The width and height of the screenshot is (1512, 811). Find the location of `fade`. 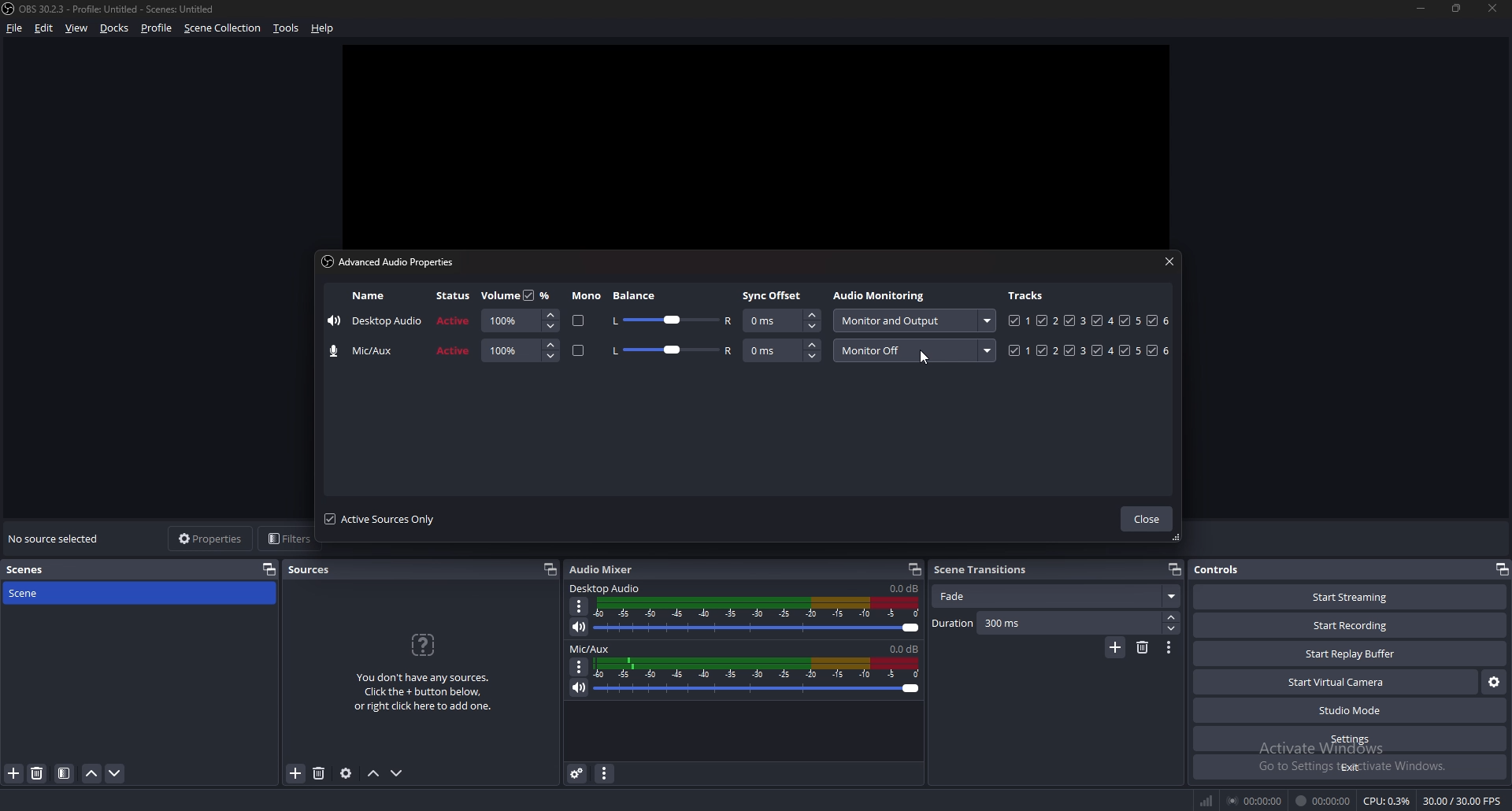

fade is located at coordinates (1057, 596).